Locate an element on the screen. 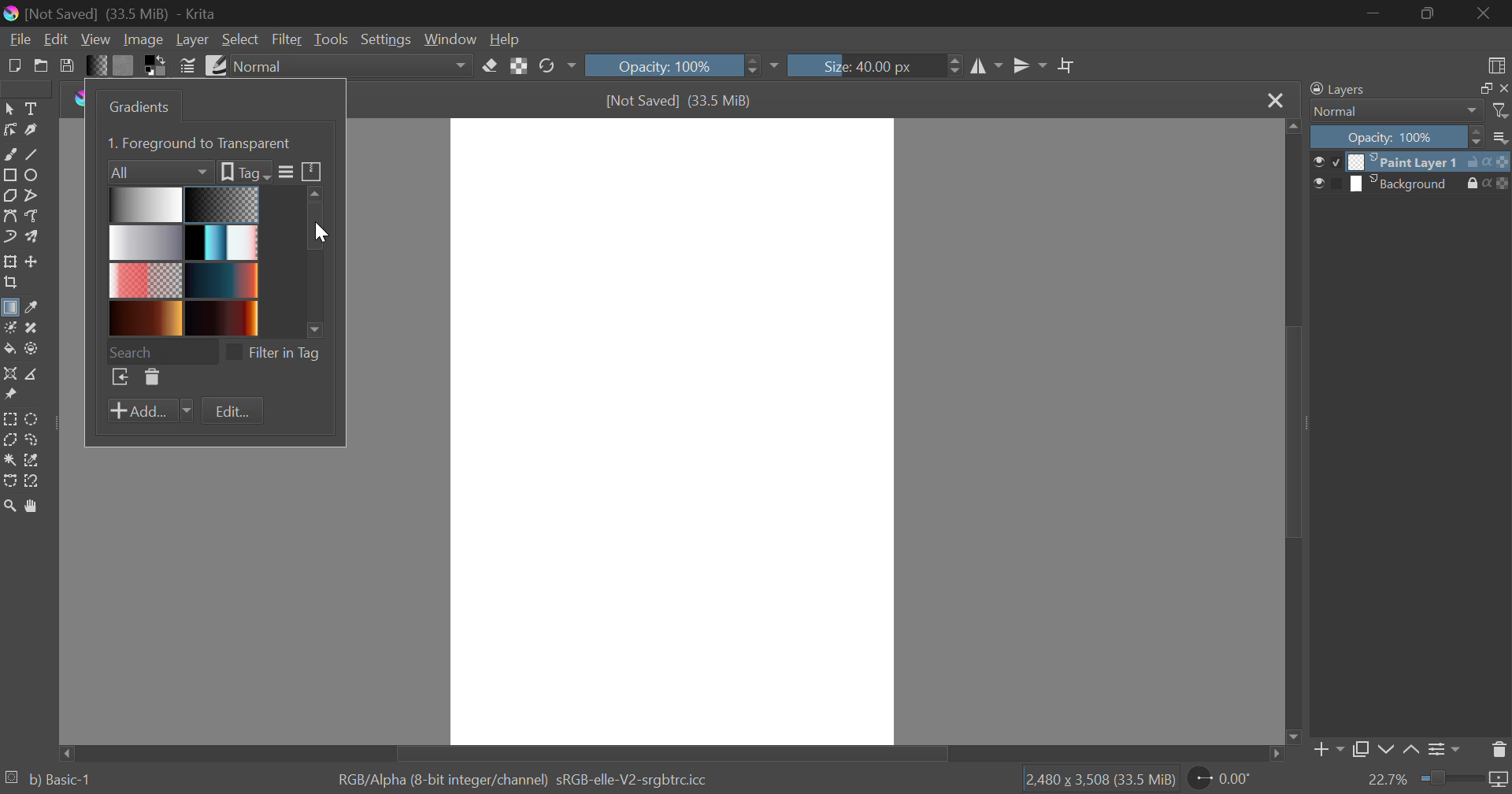 This screenshot has width=1512, height=794. Circular Selection is located at coordinates (34, 419).